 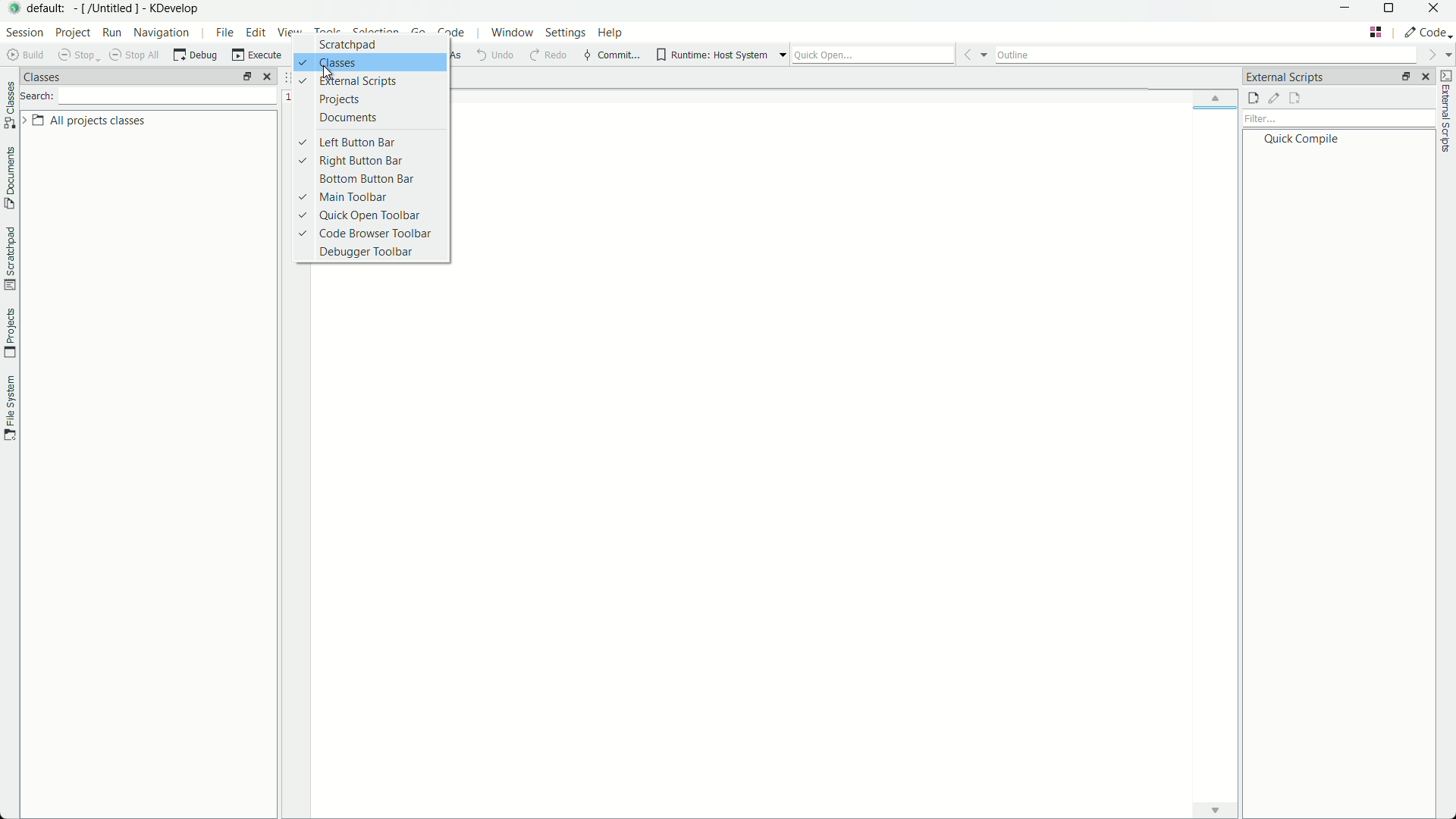 I want to click on cursor, so click(x=328, y=74).